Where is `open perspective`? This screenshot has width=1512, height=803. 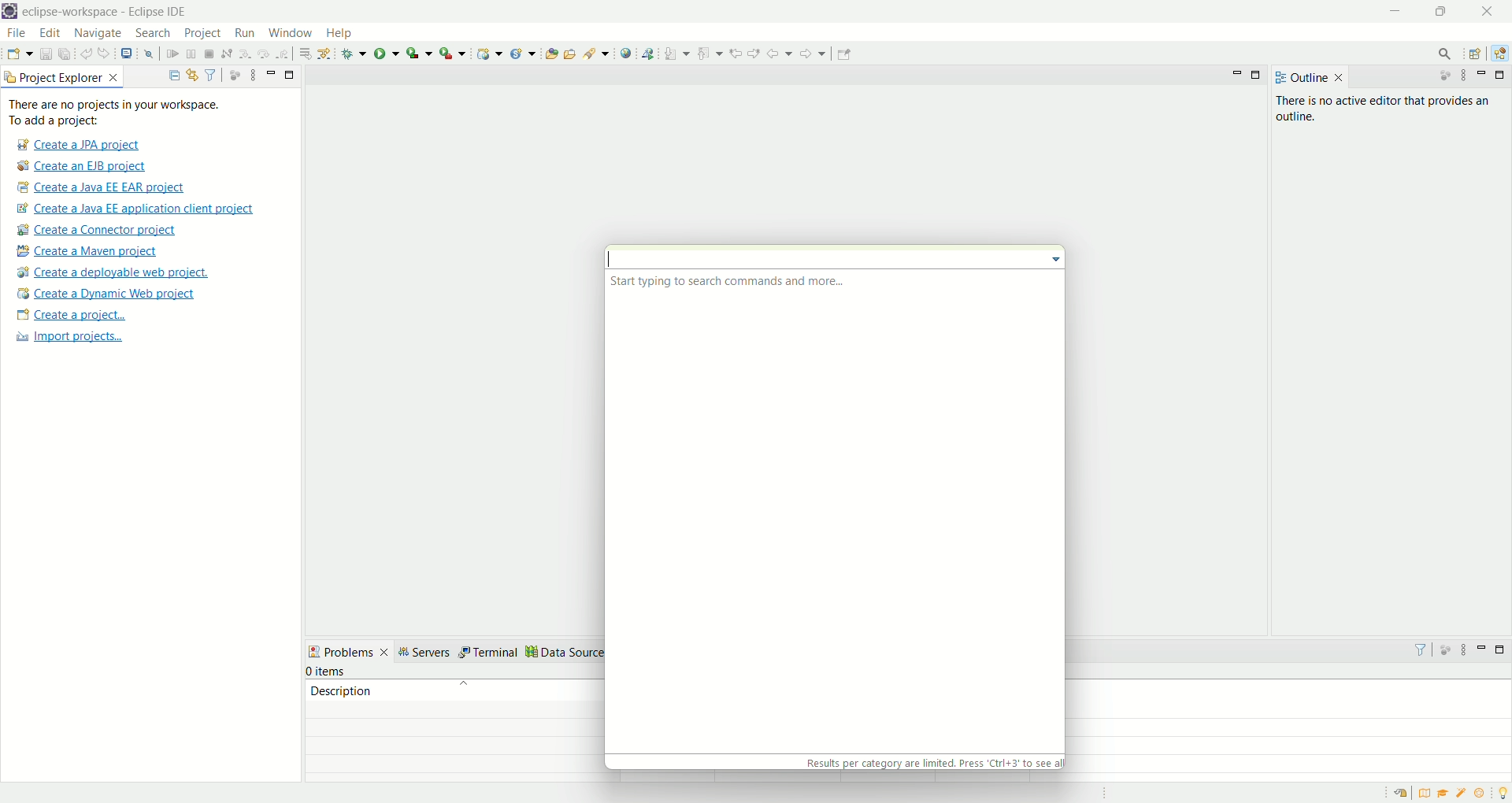 open perspective is located at coordinates (1476, 53).